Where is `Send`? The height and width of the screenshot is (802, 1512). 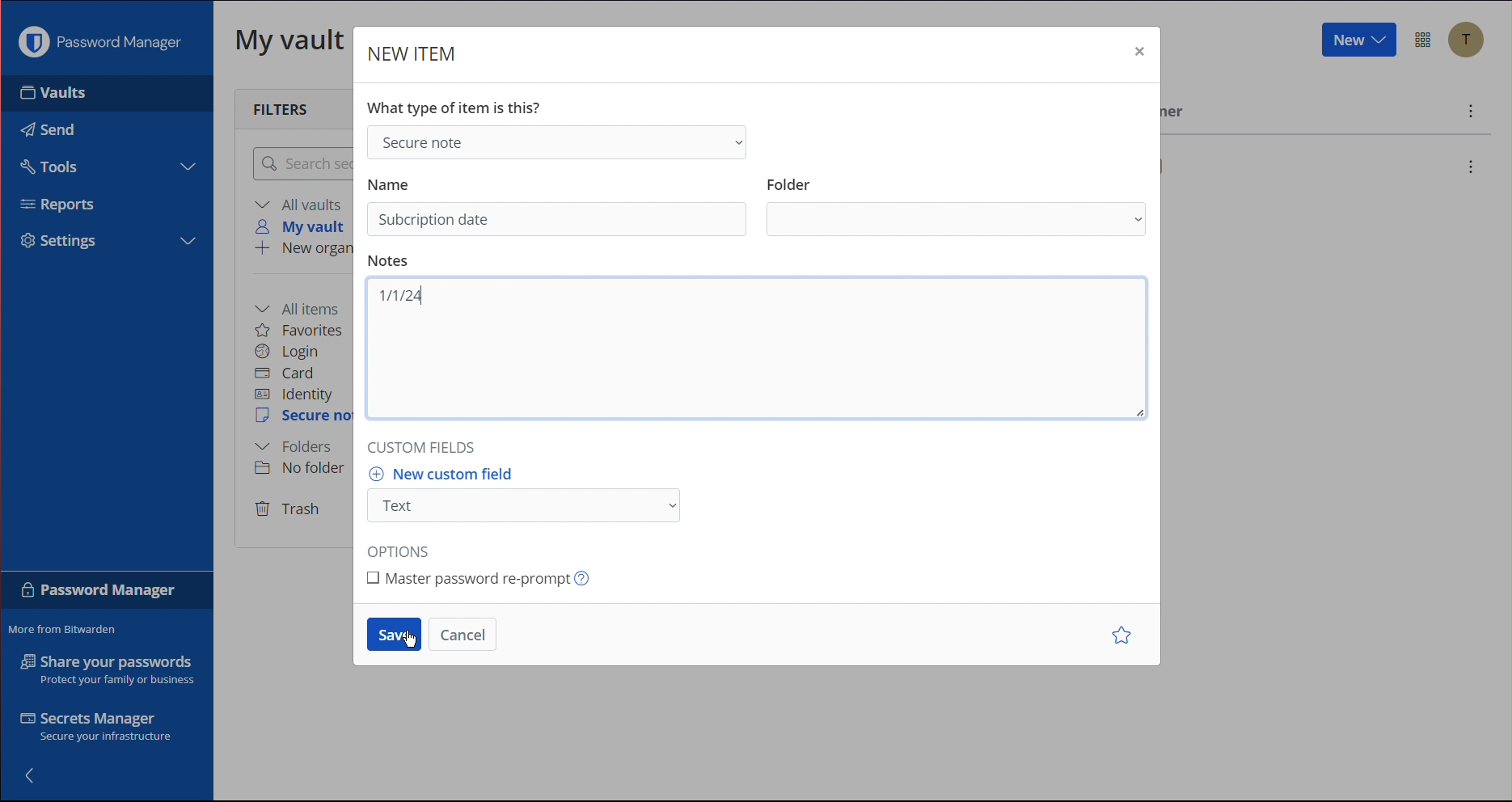 Send is located at coordinates (44, 125).